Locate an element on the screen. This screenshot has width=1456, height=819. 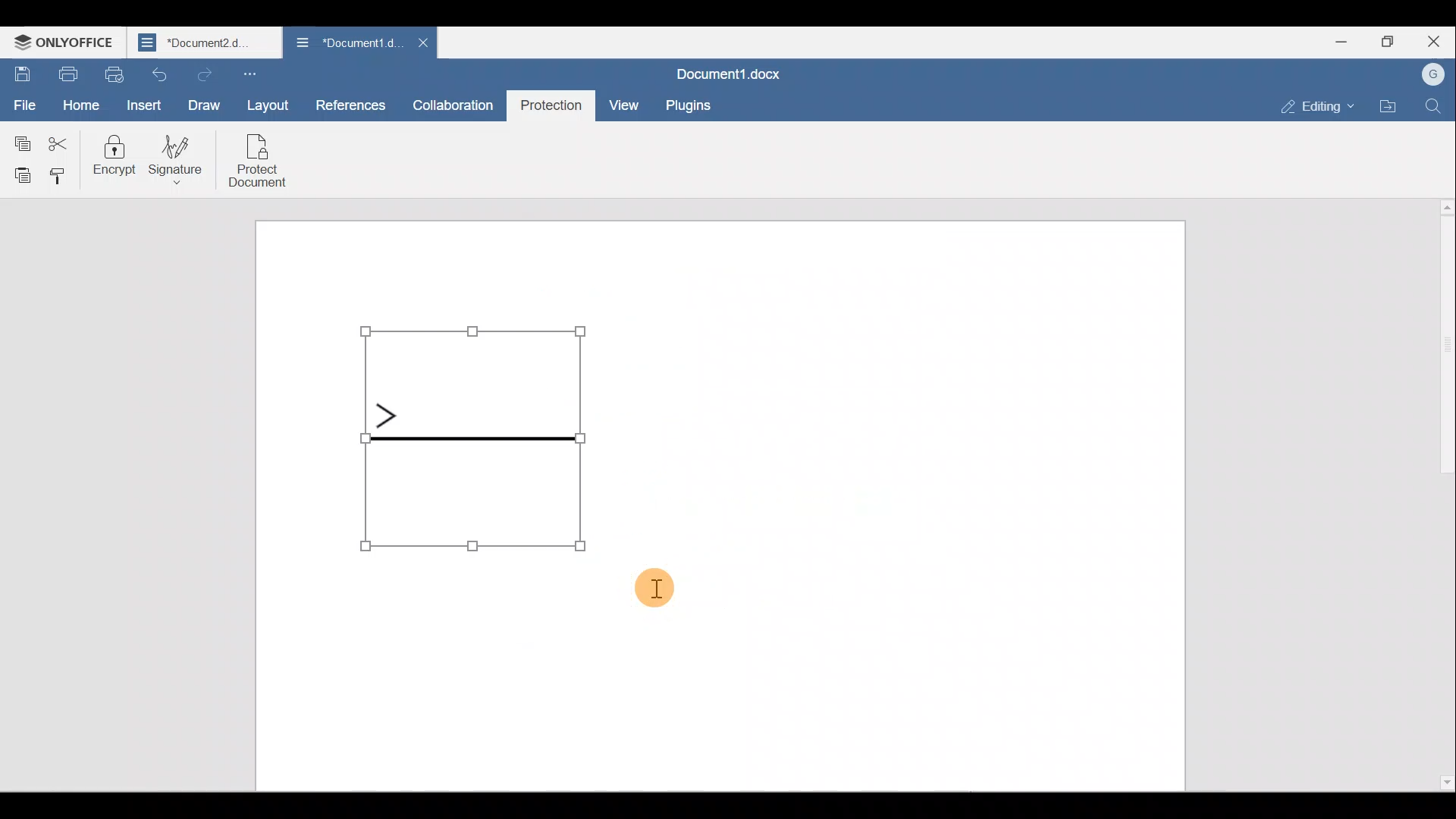
Maximize is located at coordinates (1386, 38).